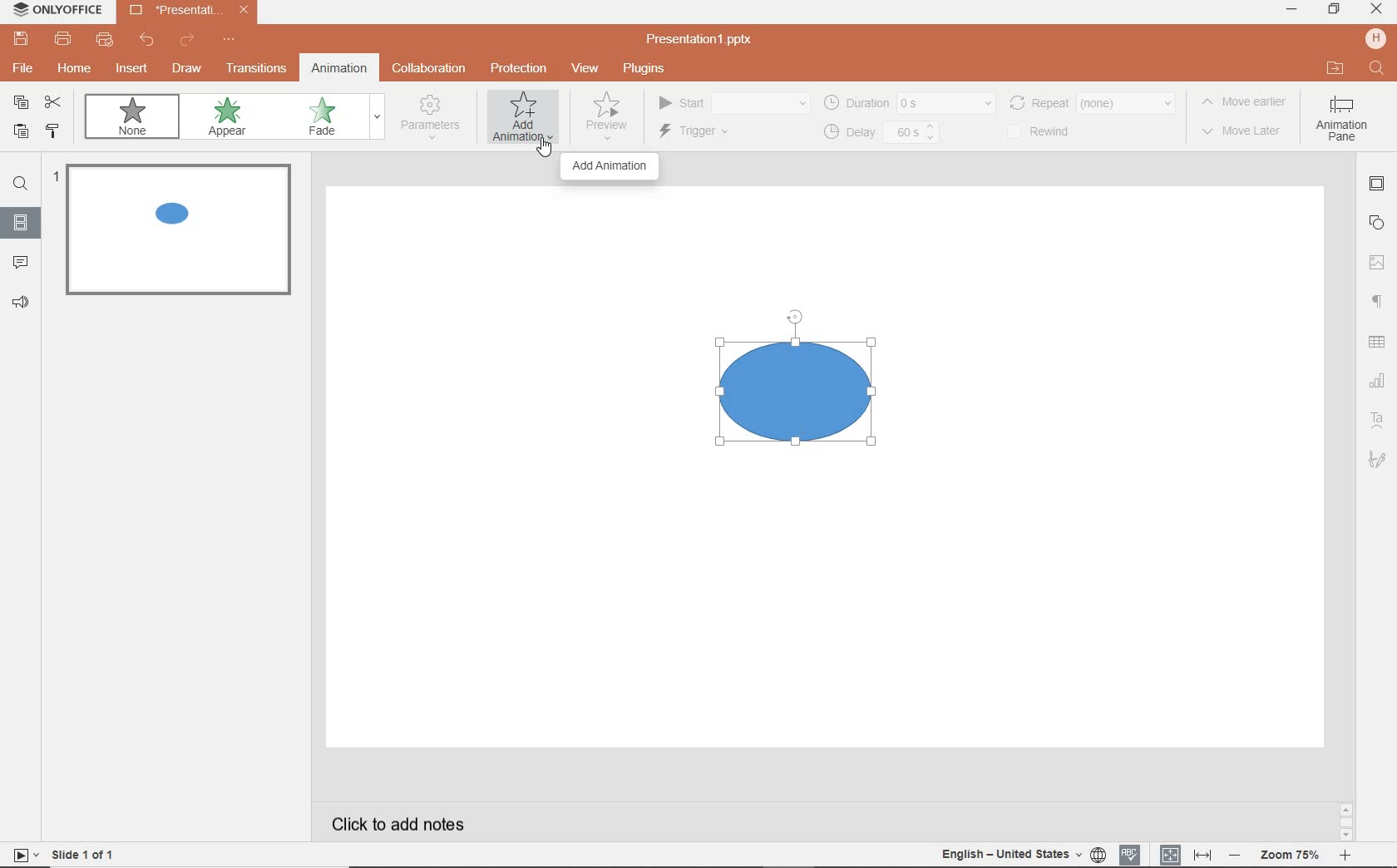 This screenshot has height=868, width=1397. I want to click on paragraph settings, so click(1379, 298).